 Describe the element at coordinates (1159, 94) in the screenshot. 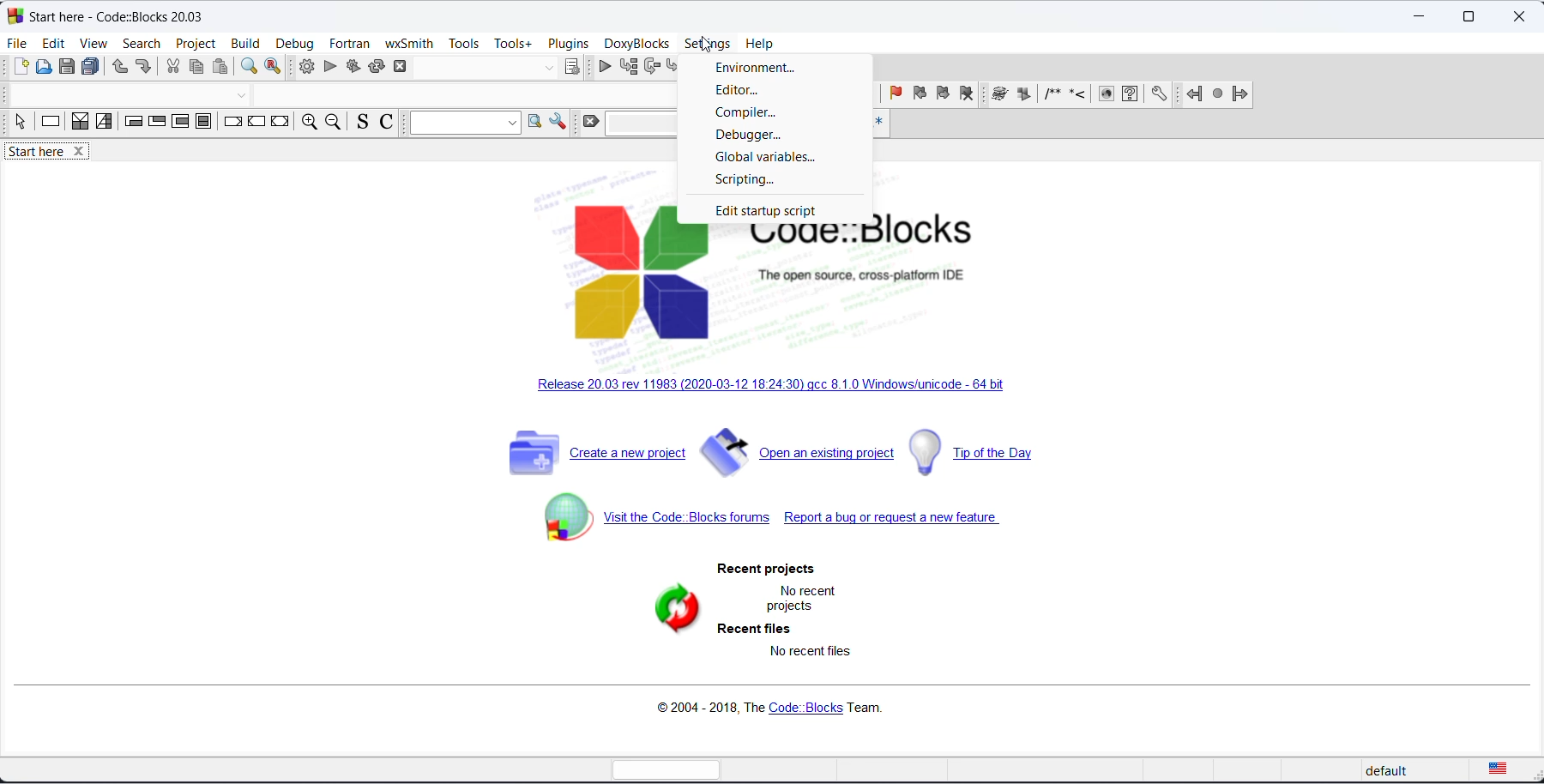

I see `settings` at that location.